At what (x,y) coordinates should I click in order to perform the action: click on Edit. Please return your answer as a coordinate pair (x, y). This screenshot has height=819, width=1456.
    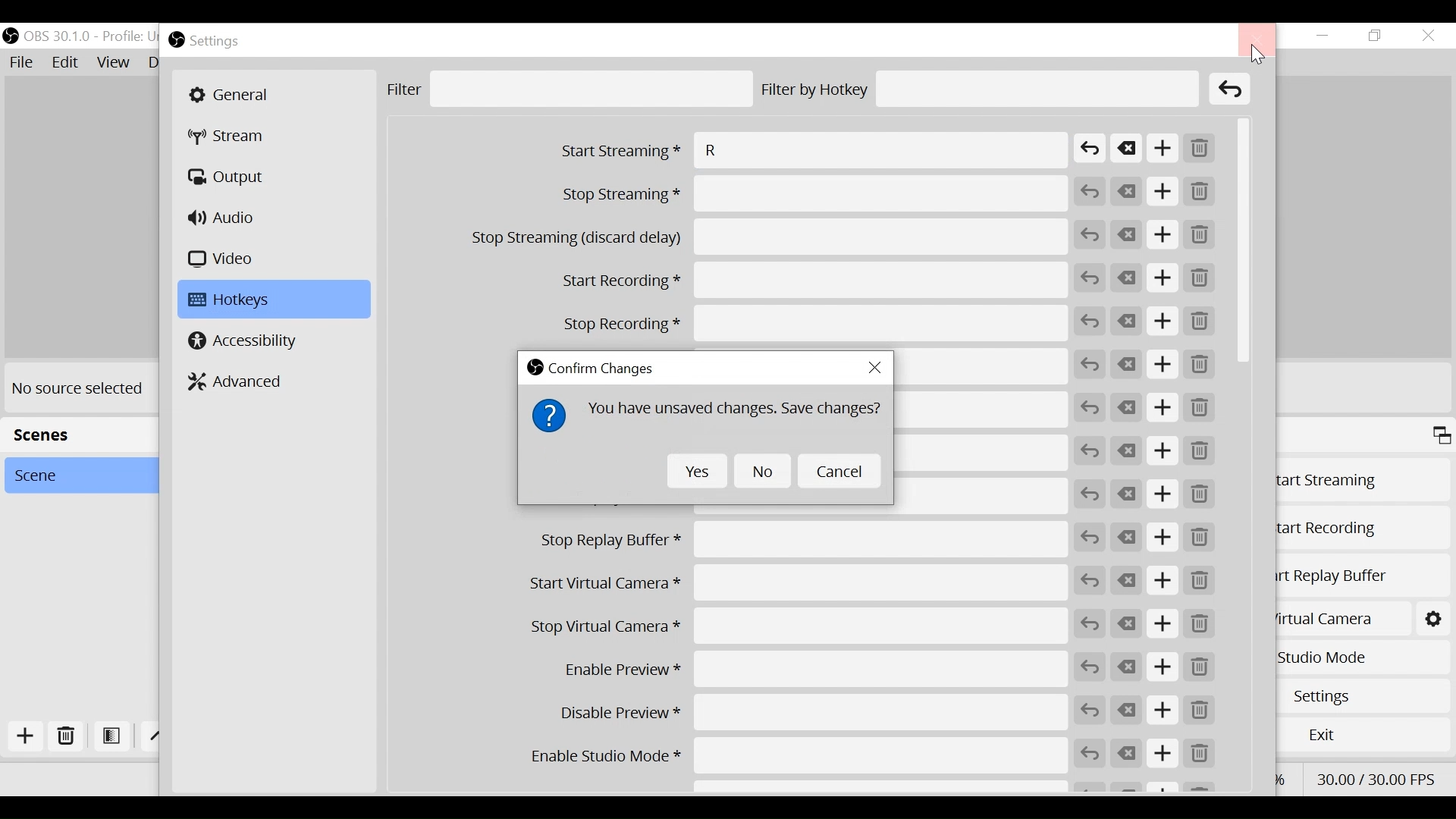
    Looking at the image, I should click on (66, 63).